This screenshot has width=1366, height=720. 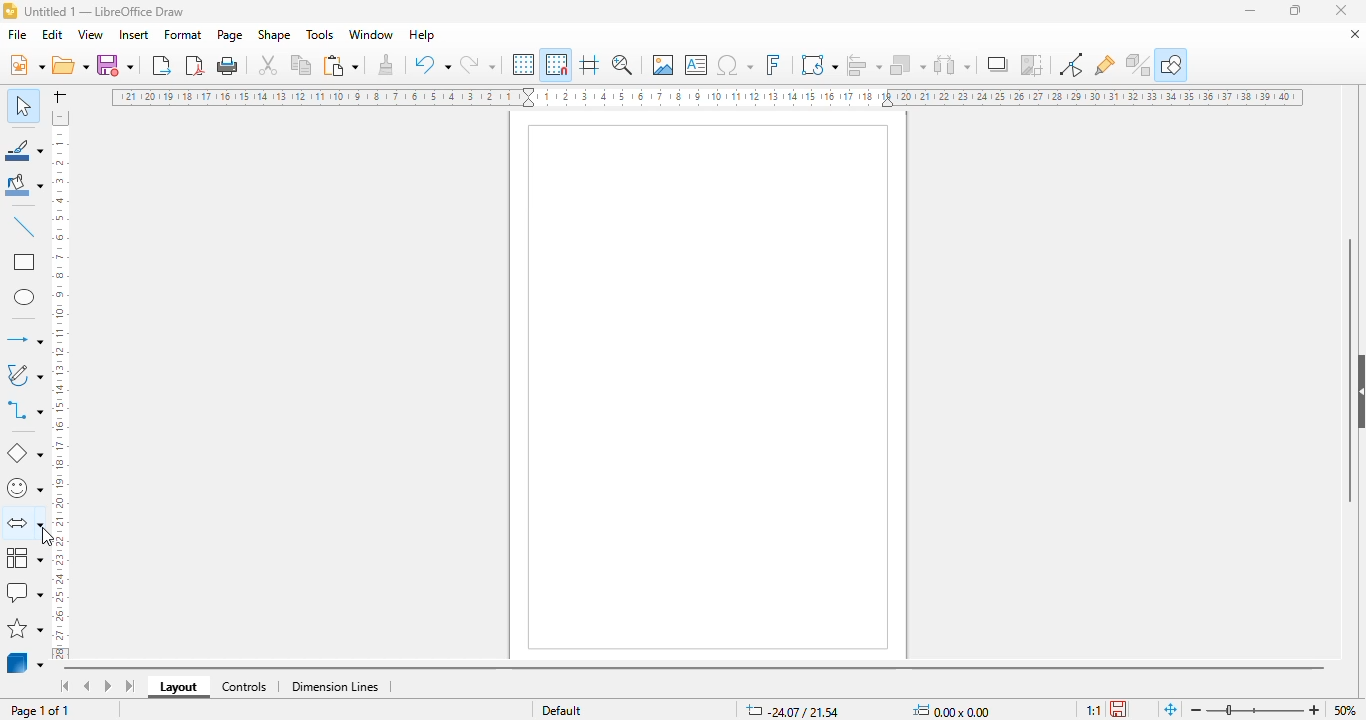 What do you see at coordinates (228, 66) in the screenshot?
I see `print` at bounding box center [228, 66].